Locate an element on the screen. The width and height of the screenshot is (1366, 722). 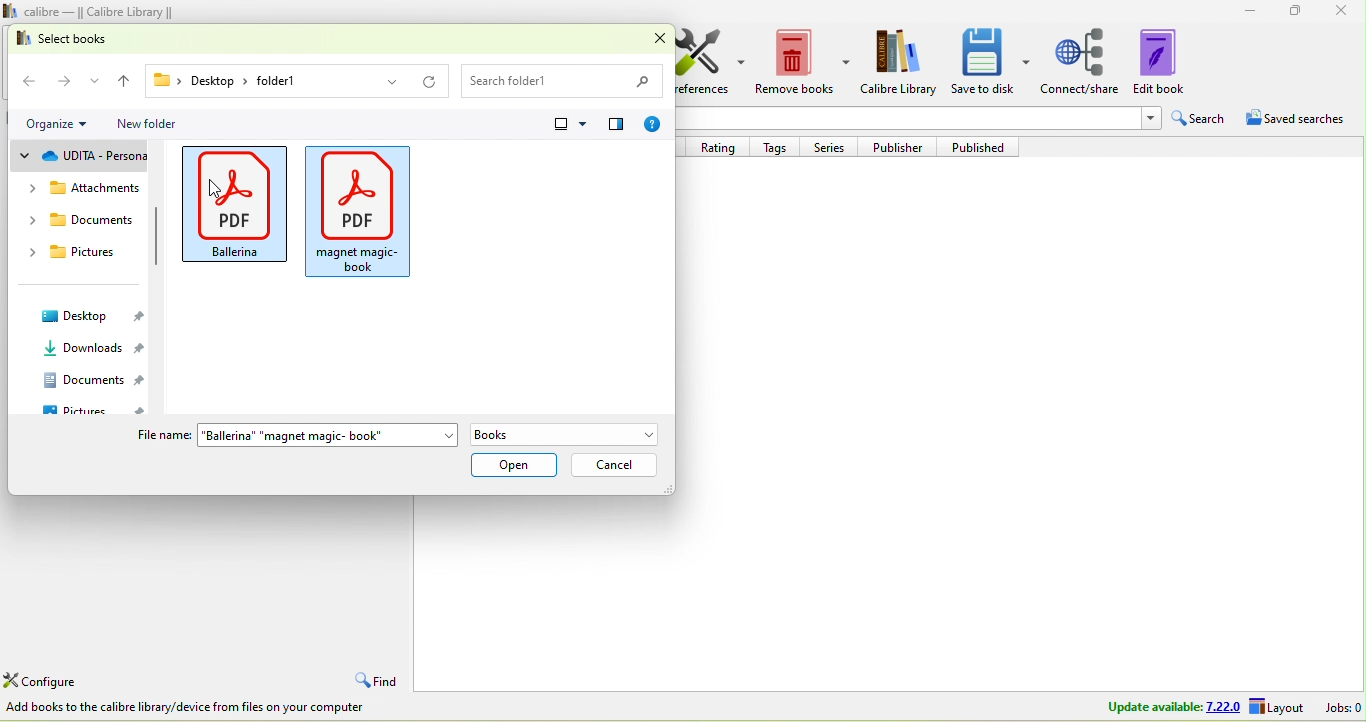
File name is located at coordinates (161, 436).